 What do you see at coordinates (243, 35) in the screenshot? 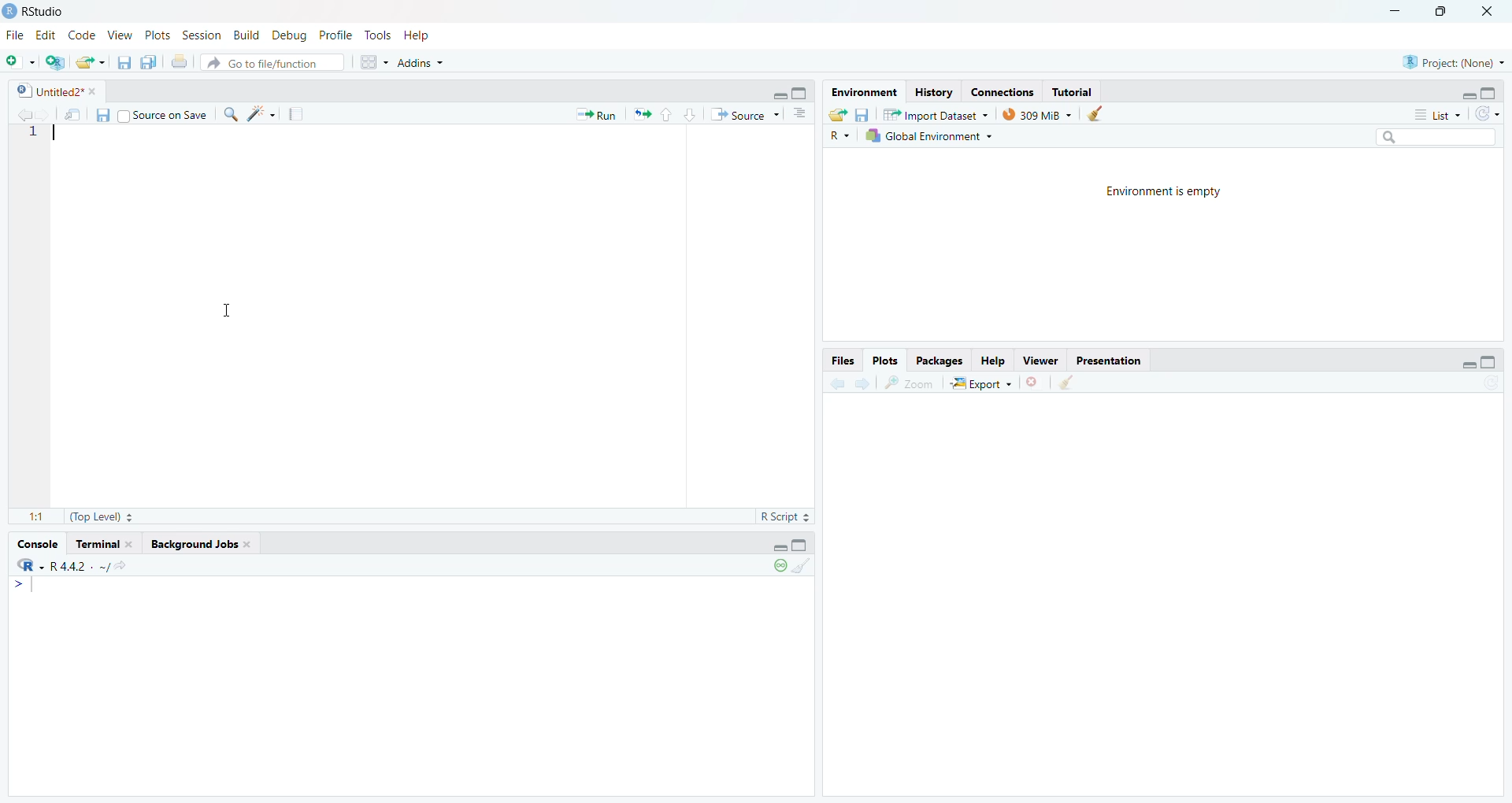
I see `Build` at bounding box center [243, 35].